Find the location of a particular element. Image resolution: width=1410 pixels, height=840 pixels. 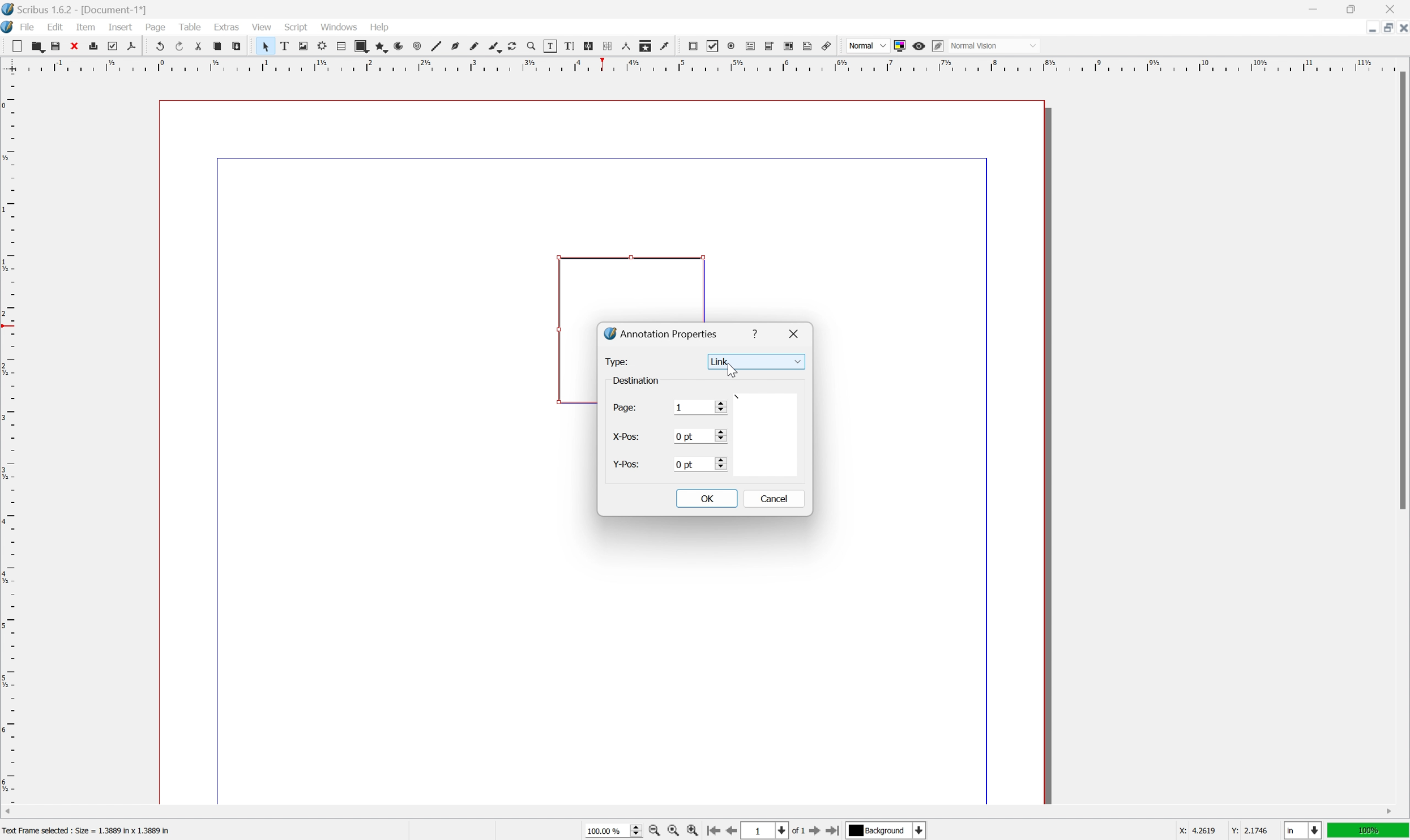

link annotation is located at coordinates (826, 46).